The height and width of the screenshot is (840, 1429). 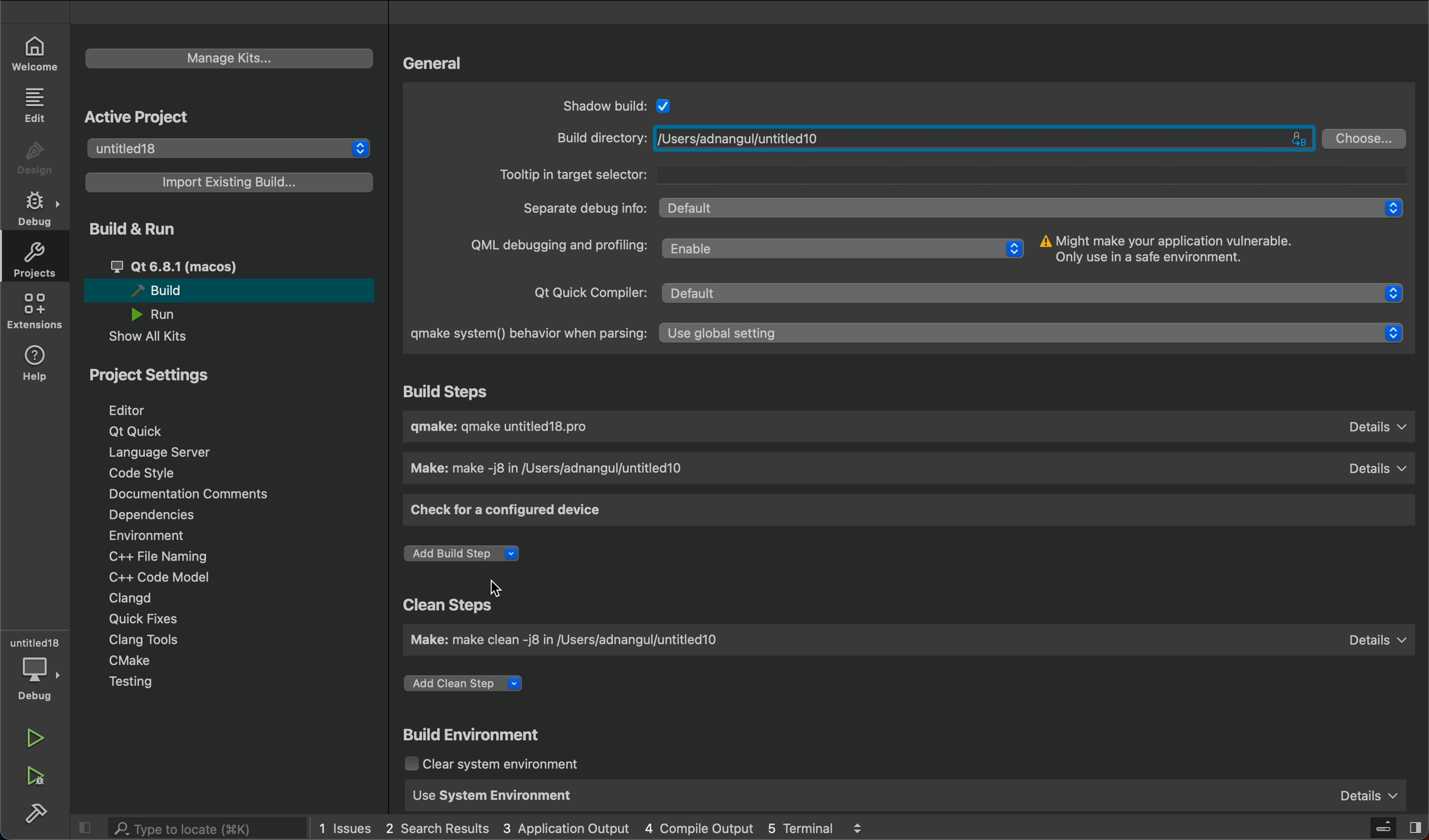 I want to click on Cursor, so click(x=495, y=588).